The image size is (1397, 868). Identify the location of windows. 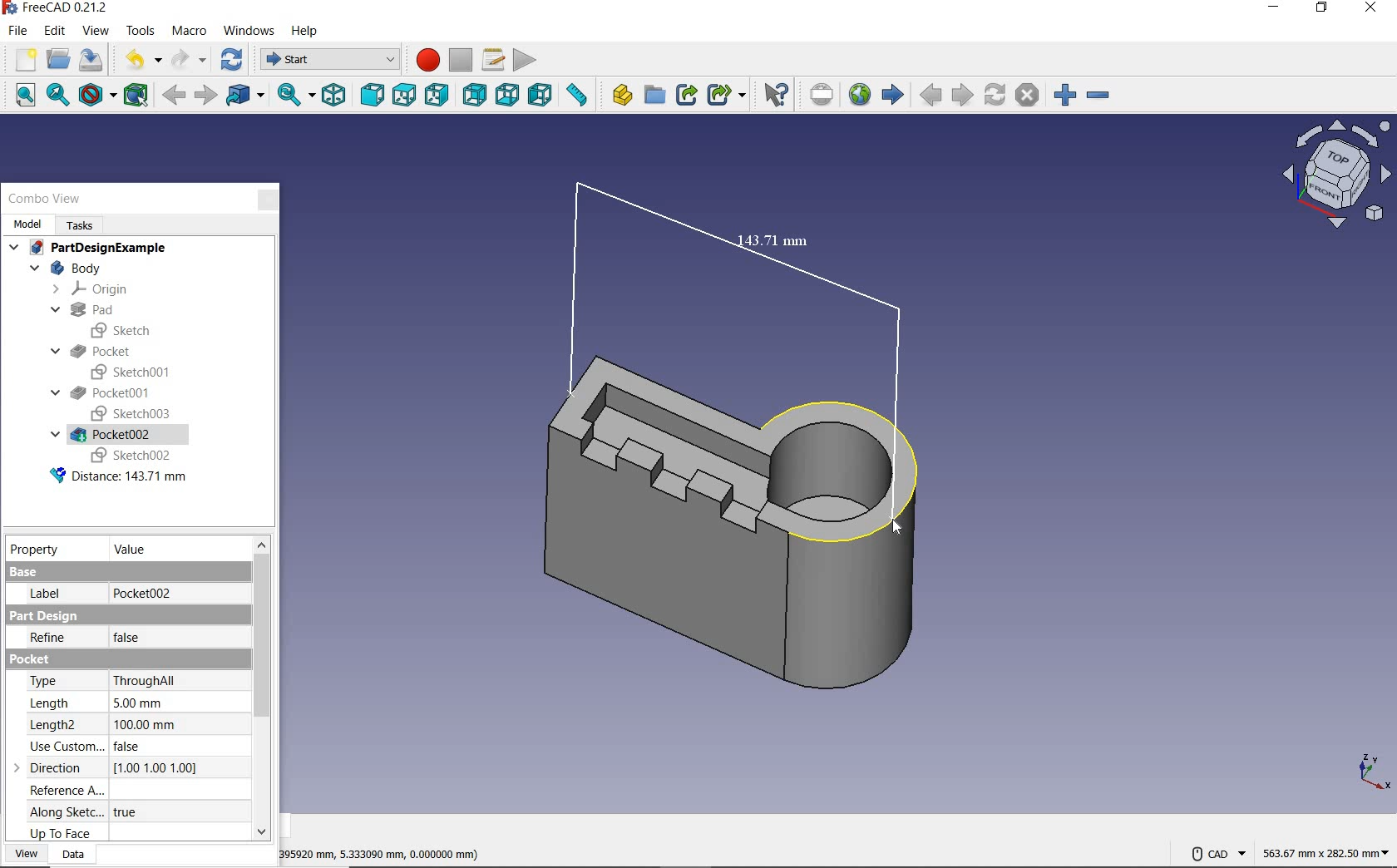
(250, 32).